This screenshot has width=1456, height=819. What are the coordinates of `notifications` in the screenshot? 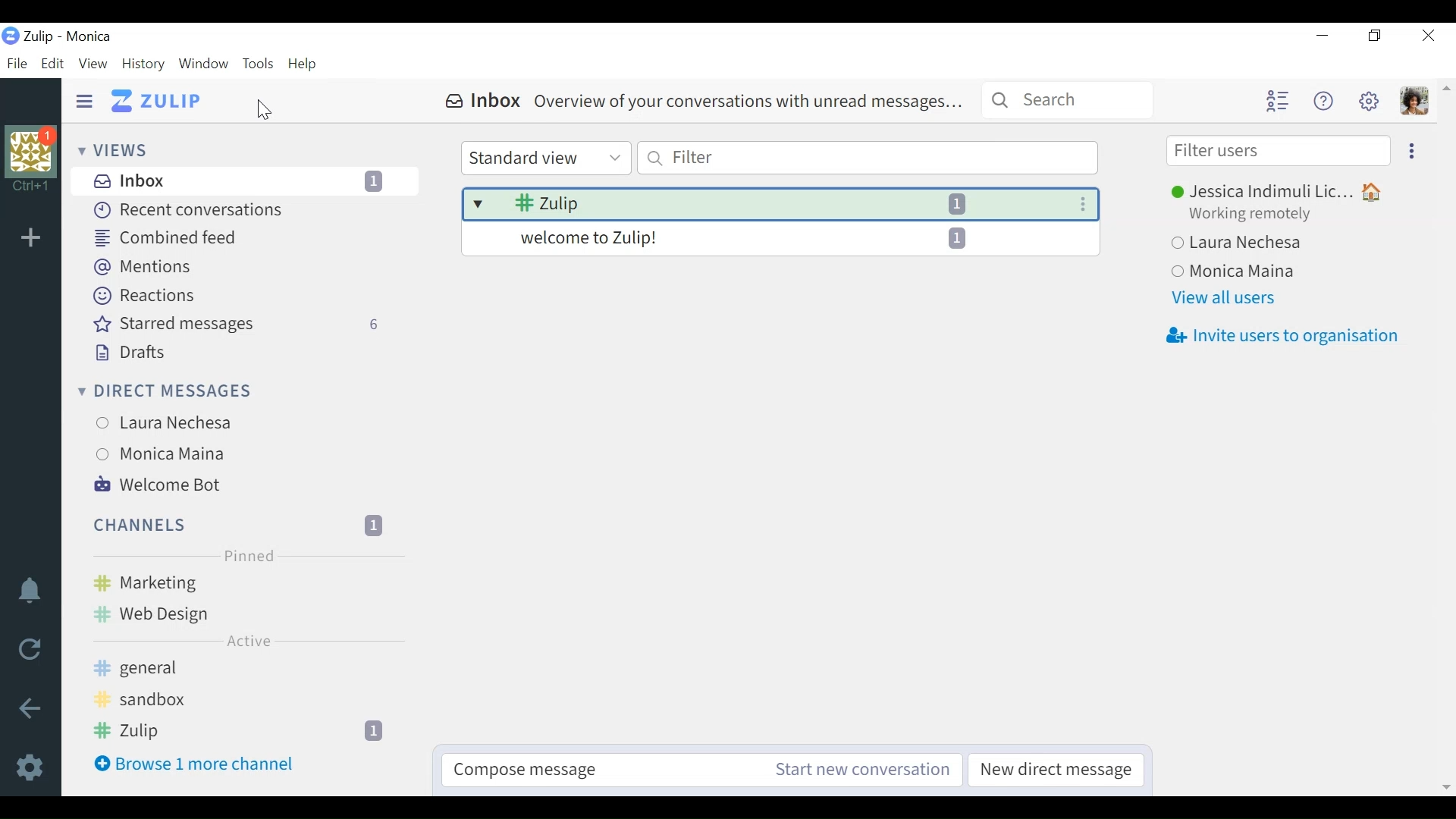 It's located at (31, 592).